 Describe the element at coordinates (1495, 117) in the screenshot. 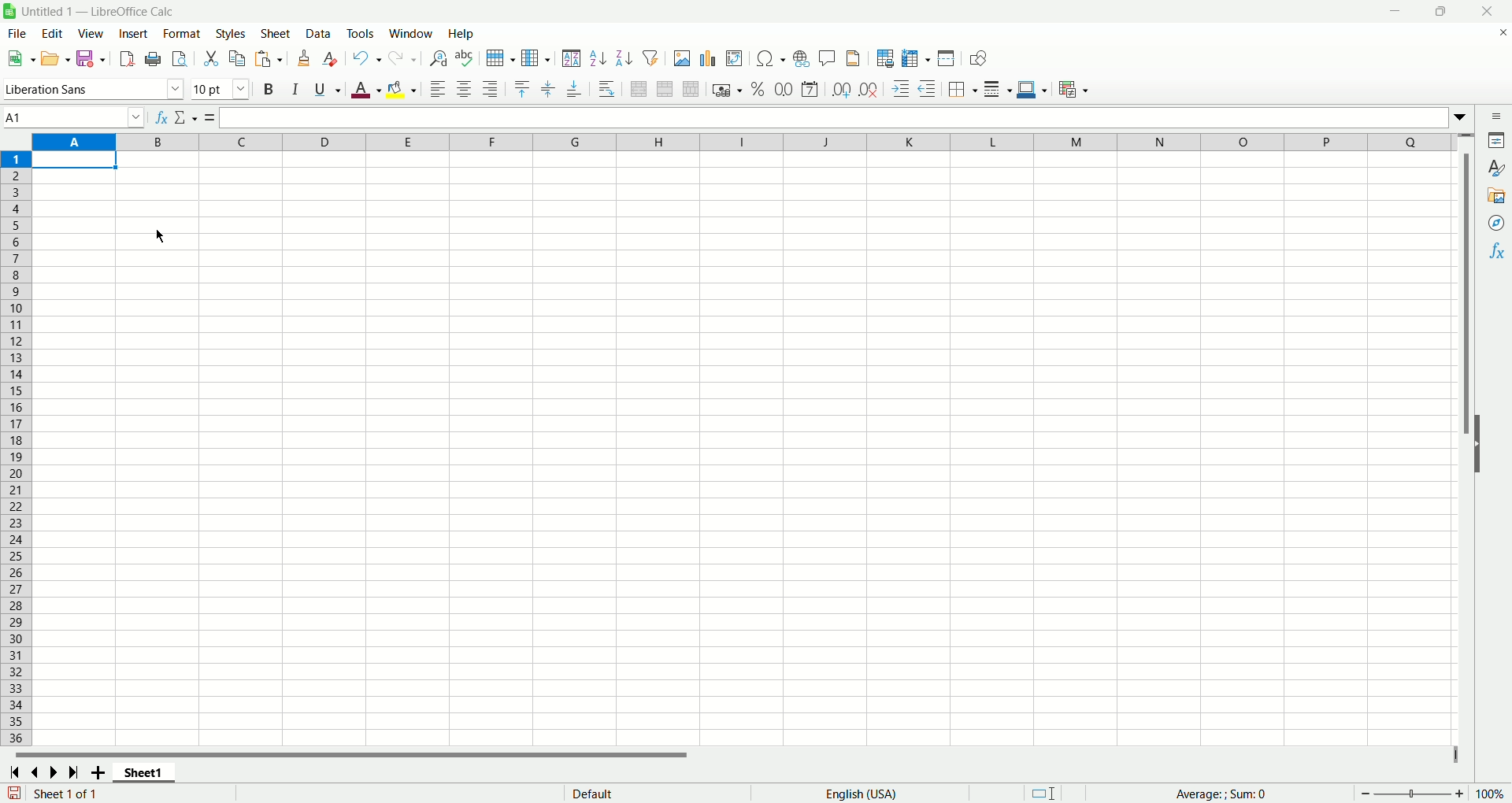

I see `sidebar` at that location.